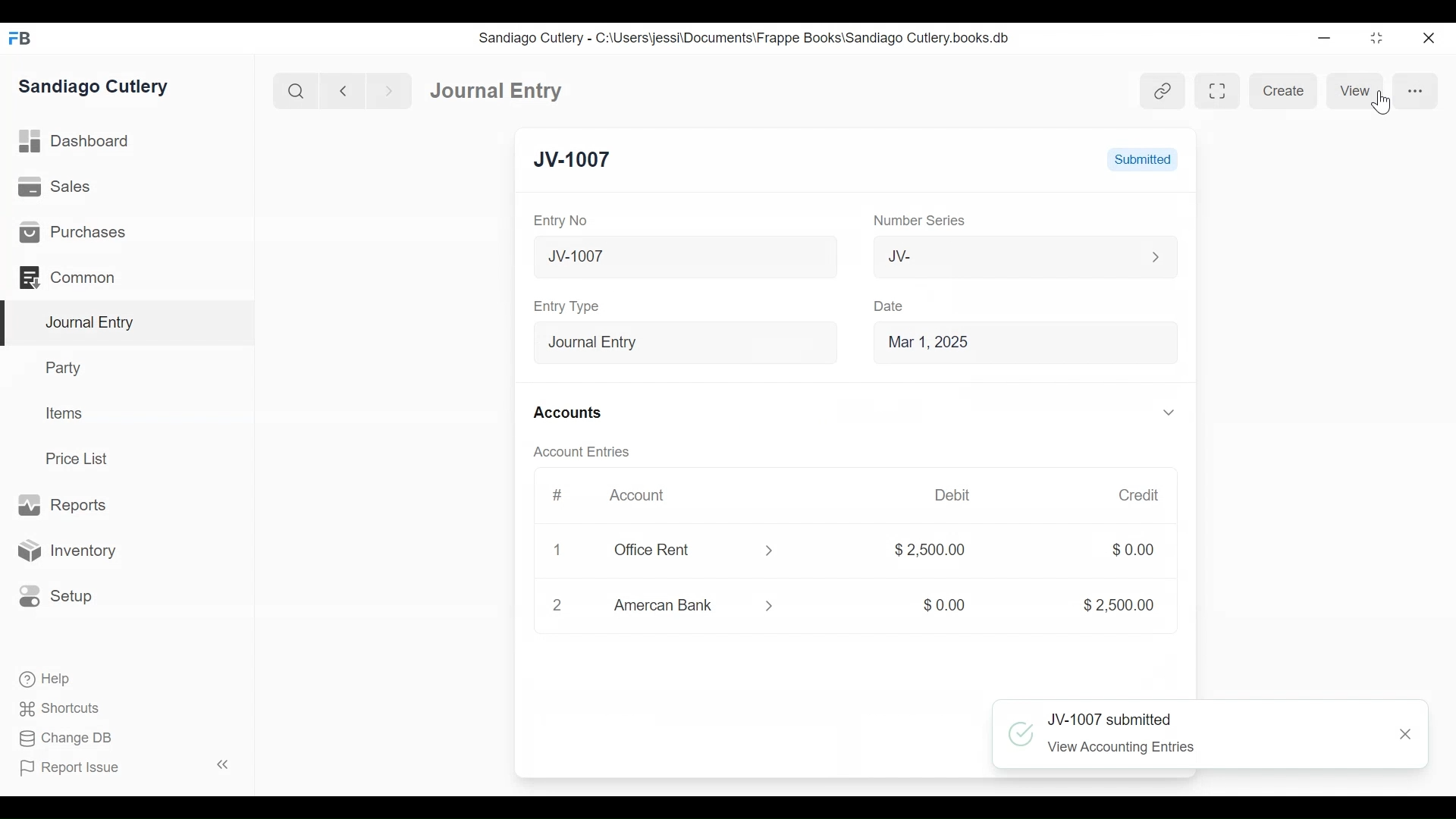  I want to click on Accounts, so click(566, 413).